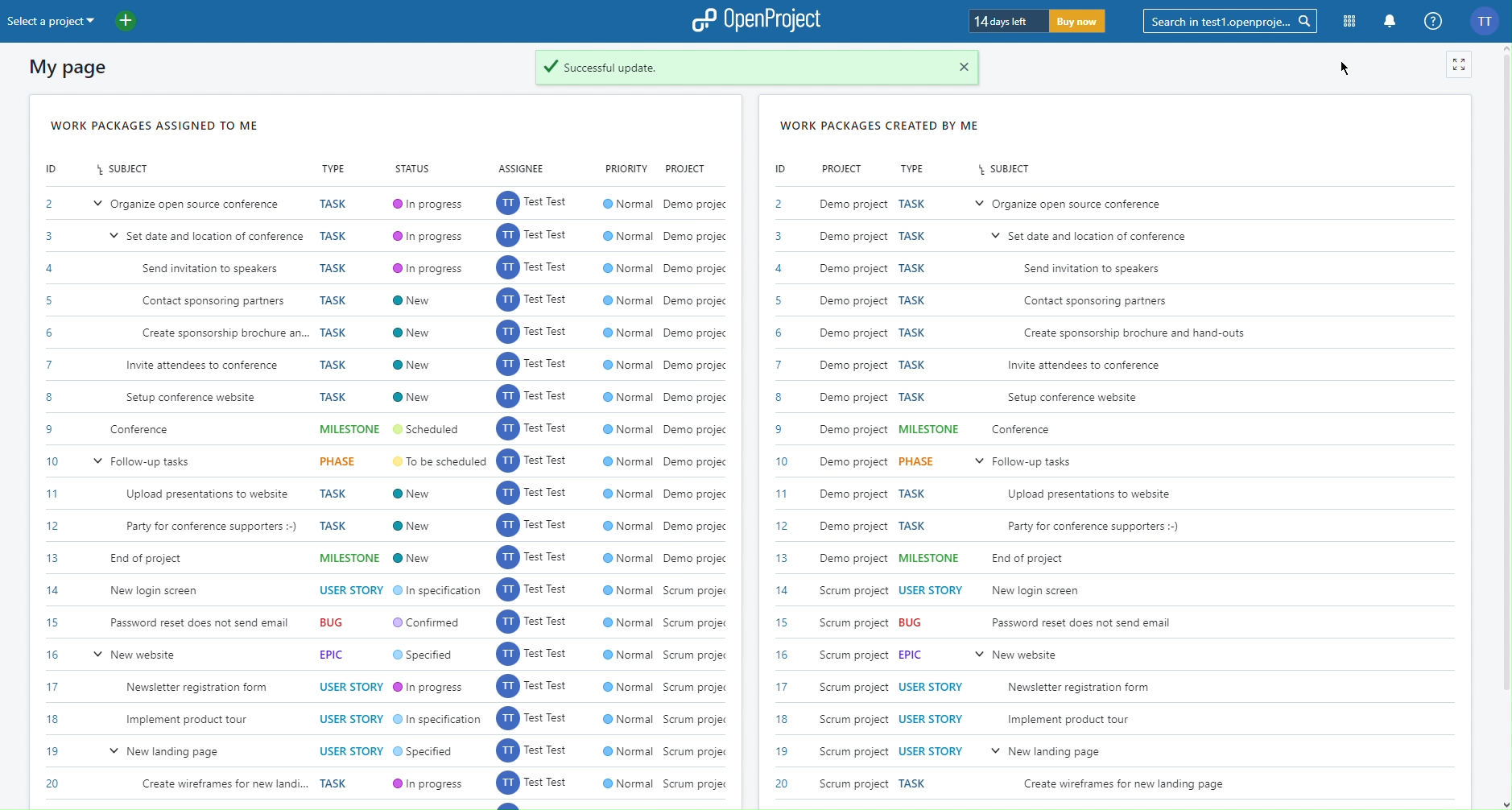 The height and width of the screenshot is (810, 1512). Describe the element at coordinates (74, 68) in the screenshot. I see `My page` at that location.